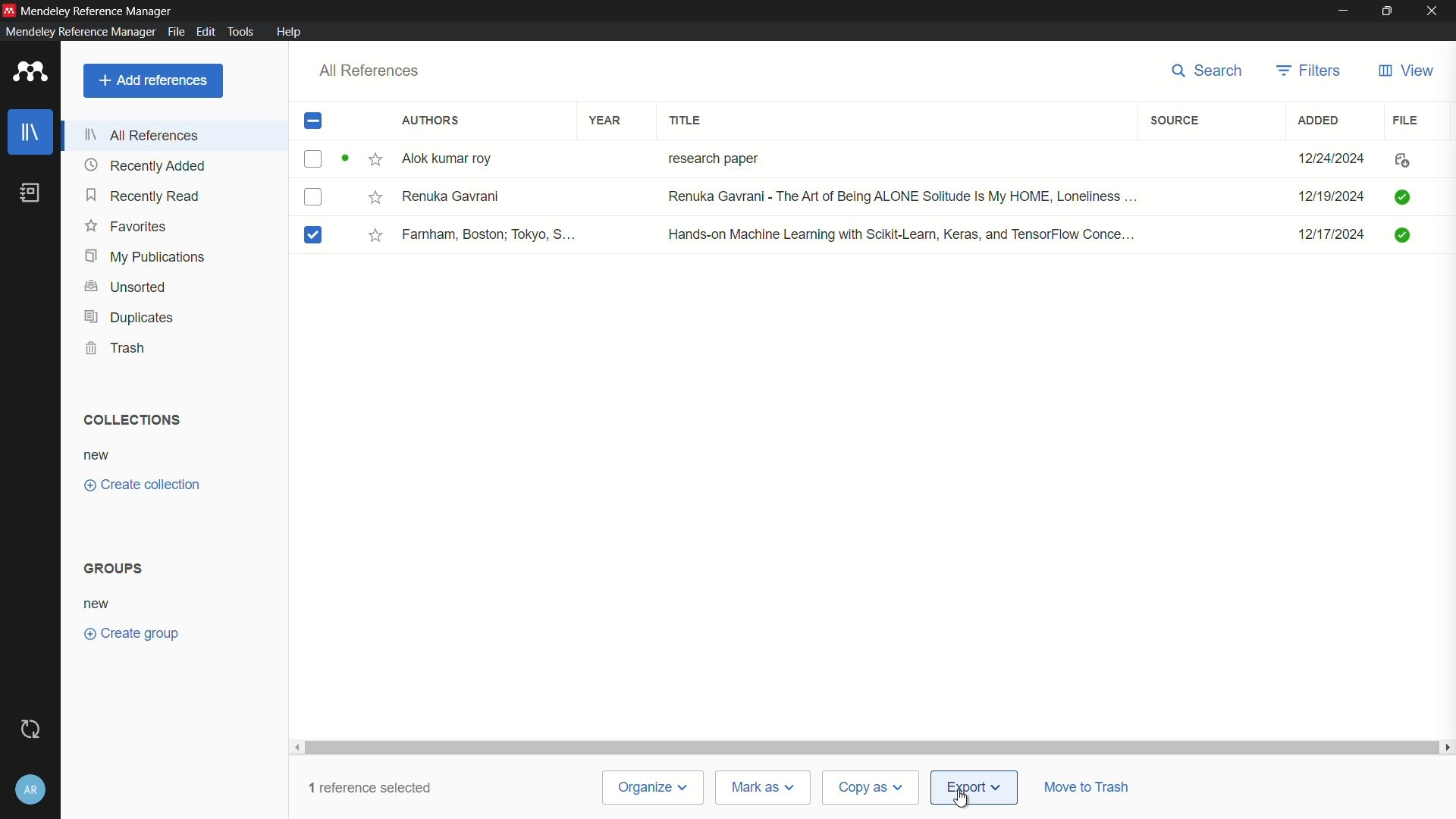 Image resolution: width=1456 pixels, height=819 pixels. I want to click on new, so click(99, 604).